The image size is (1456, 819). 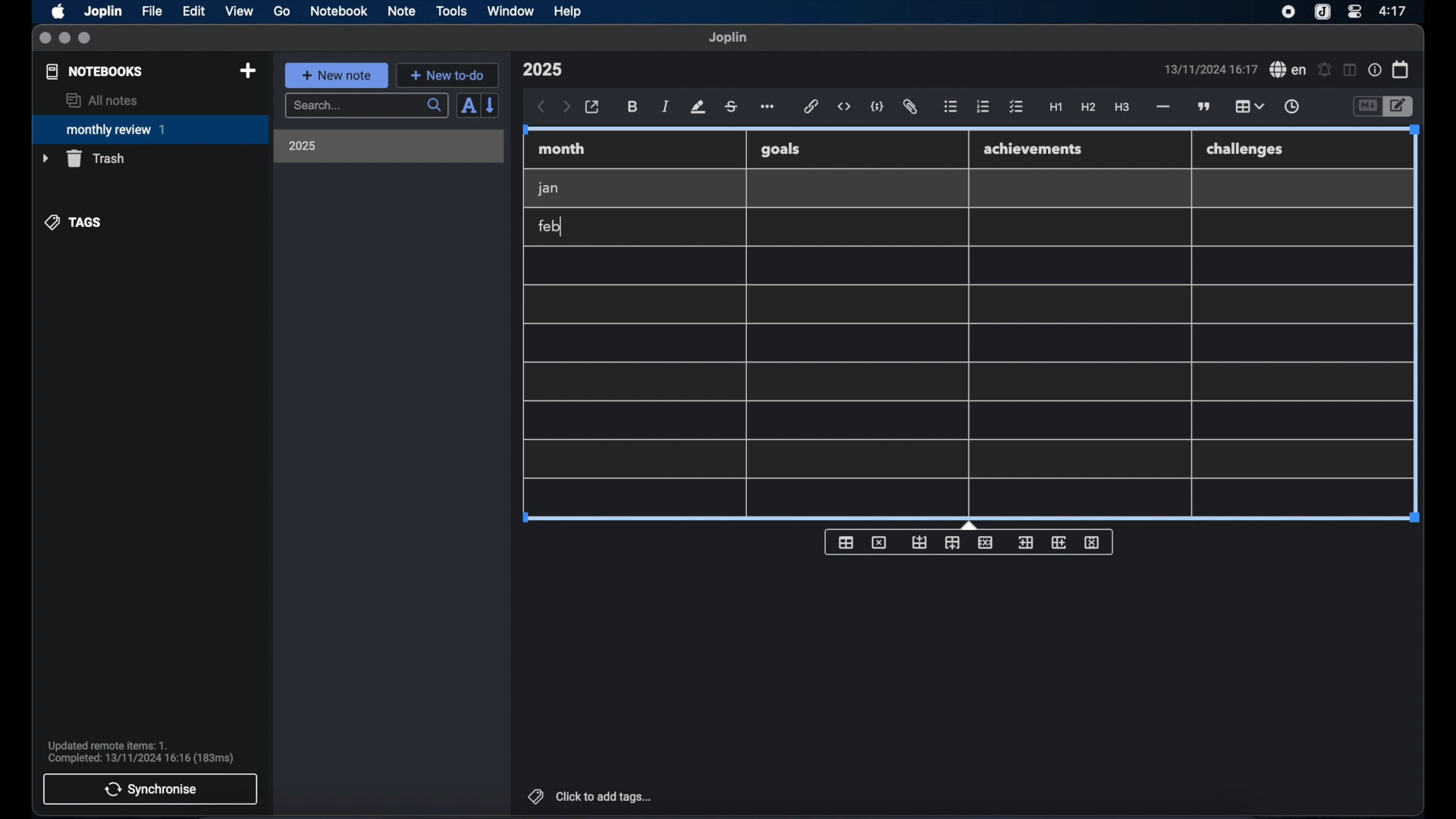 I want to click on trash, so click(x=83, y=158).